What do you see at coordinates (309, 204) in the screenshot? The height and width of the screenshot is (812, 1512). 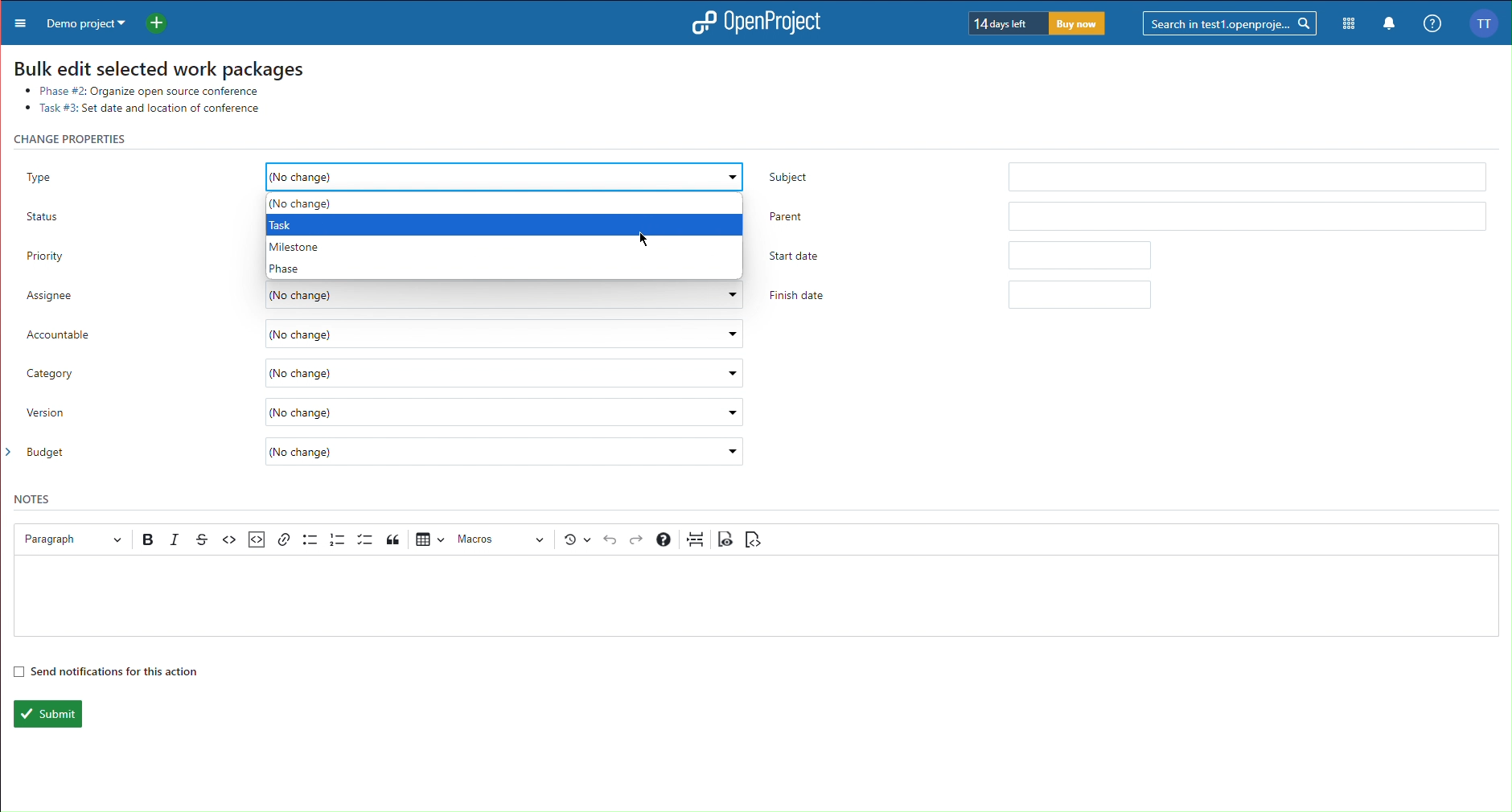 I see `No change` at bounding box center [309, 204].